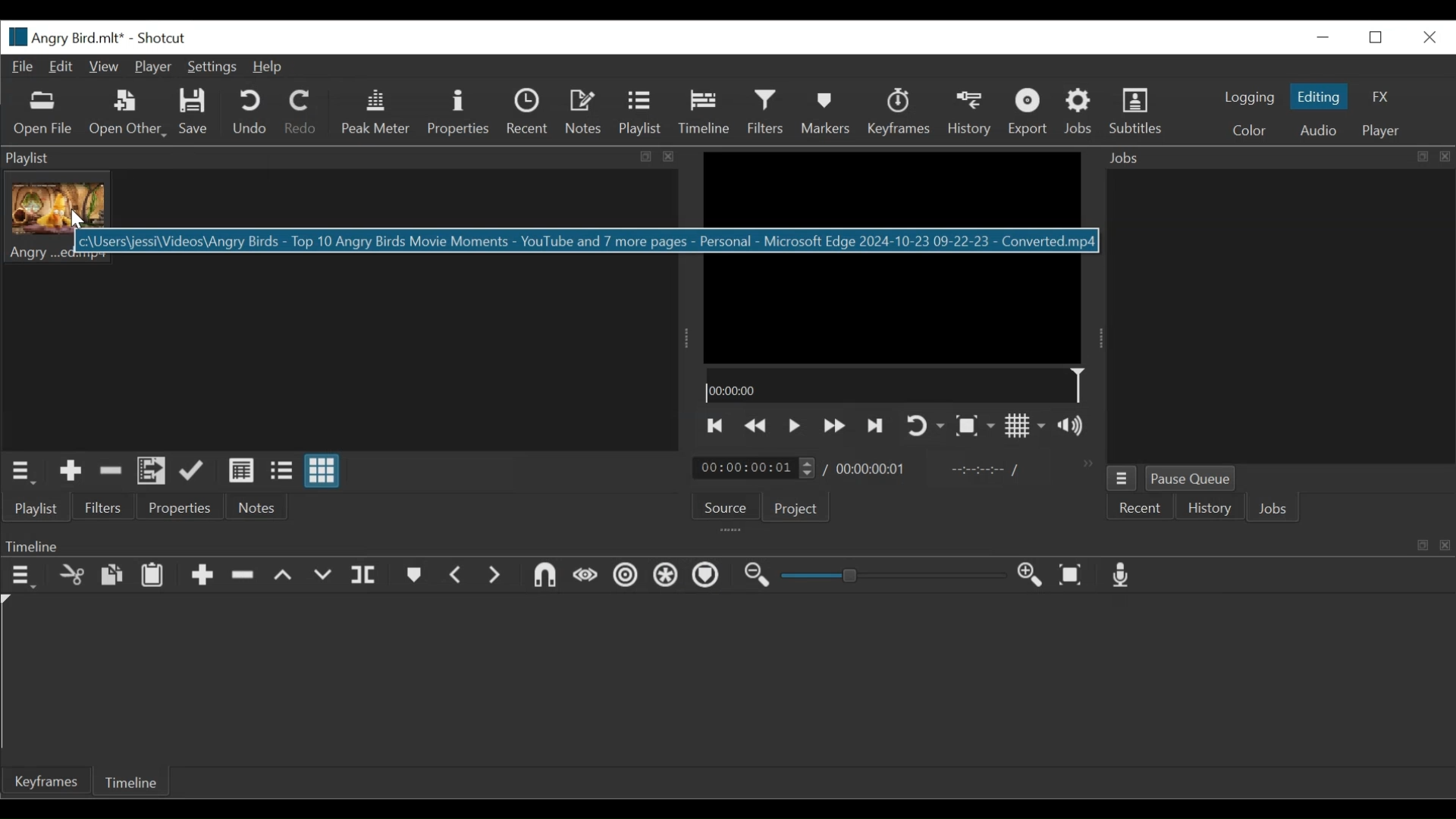 The image size is (1456, 819). Describe the element at coordinates (365, 577) in the screenshot. I see `Split at playhead` at that location.